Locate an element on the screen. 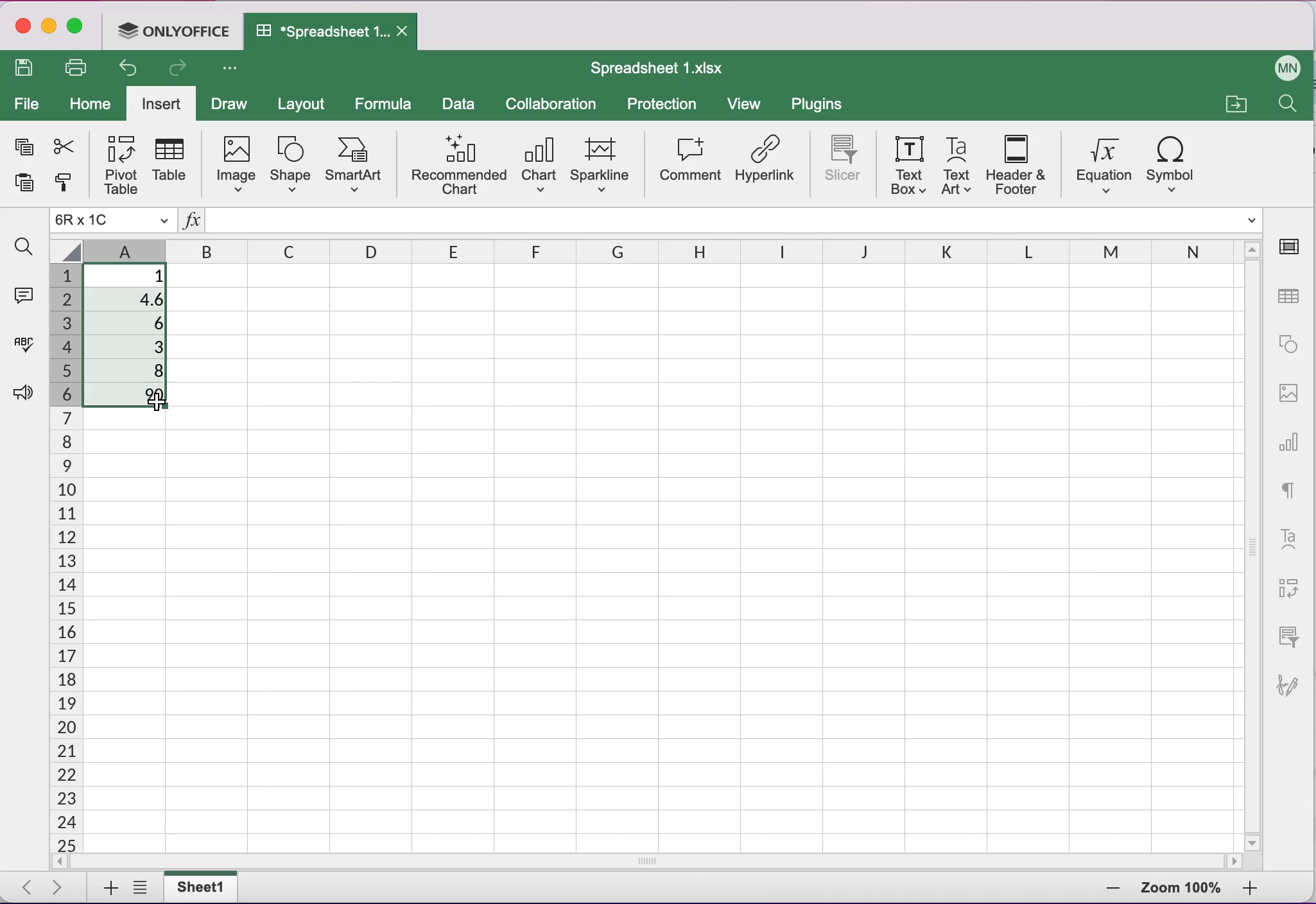 This screenshot has height=904, width=1316. 90 is located at coordinates (130, 396).